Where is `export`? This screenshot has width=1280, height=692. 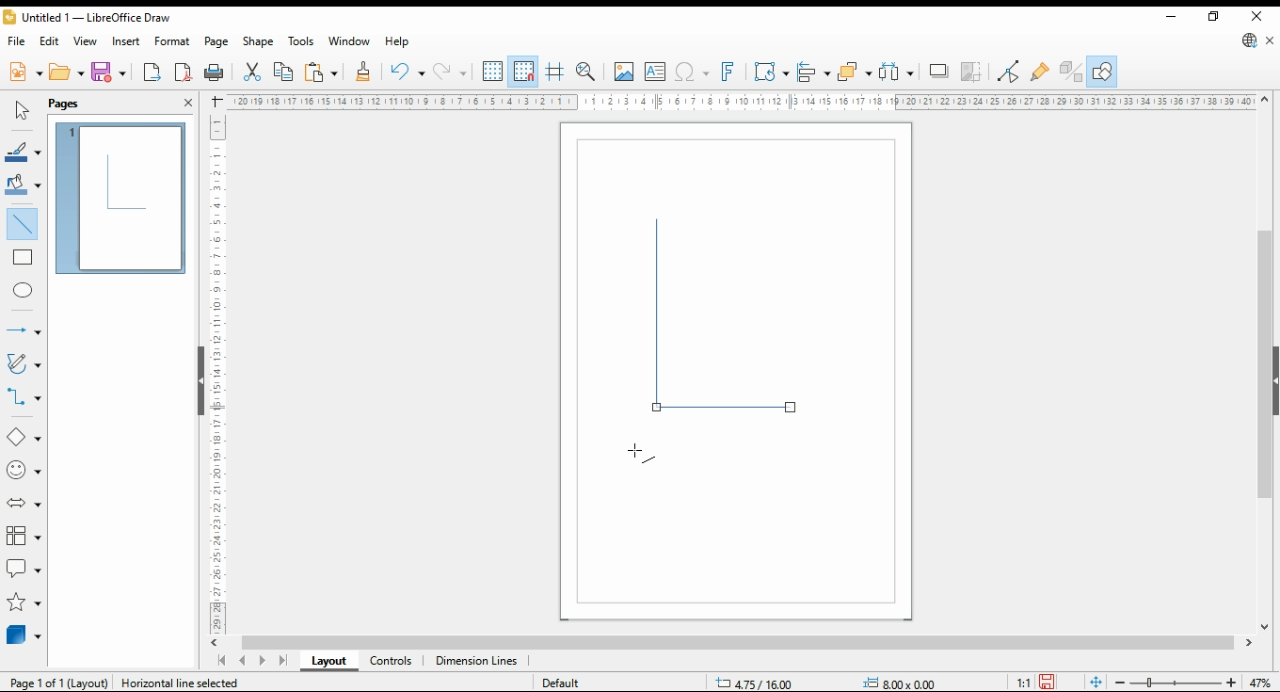 export is located at coordinates (152, 74).